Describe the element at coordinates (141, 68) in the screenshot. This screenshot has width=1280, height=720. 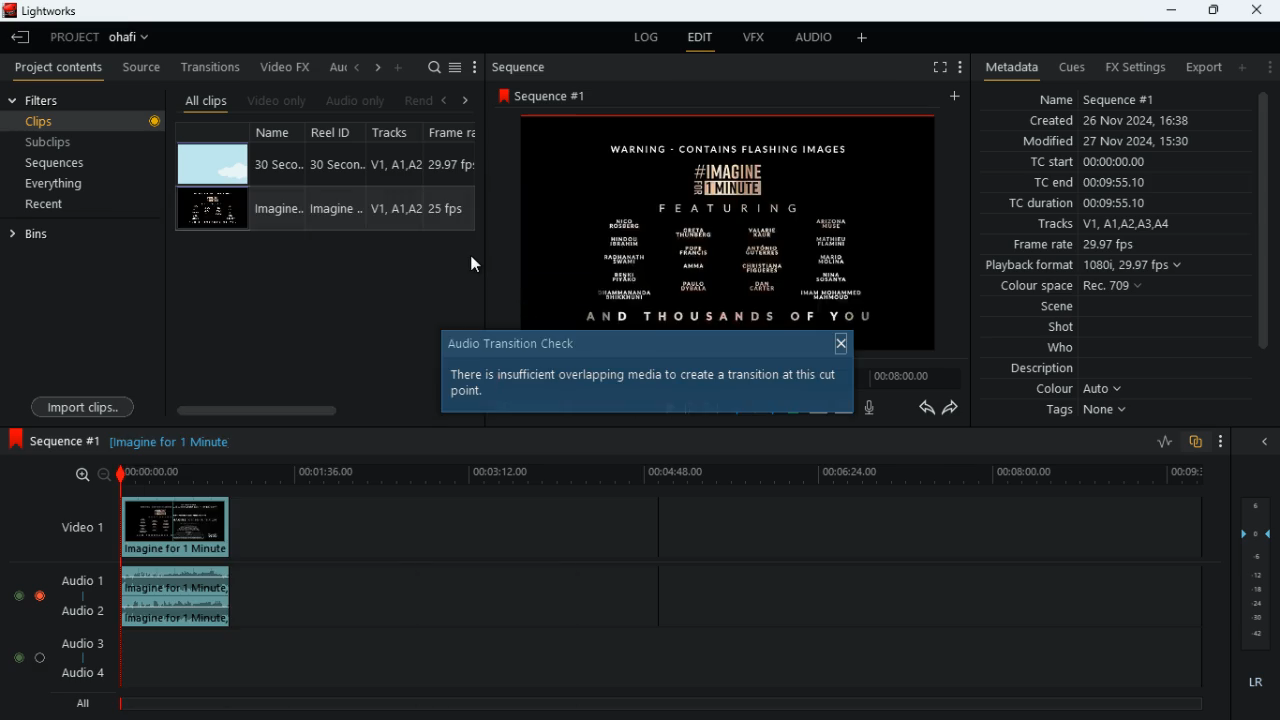
I see `source` at that location.